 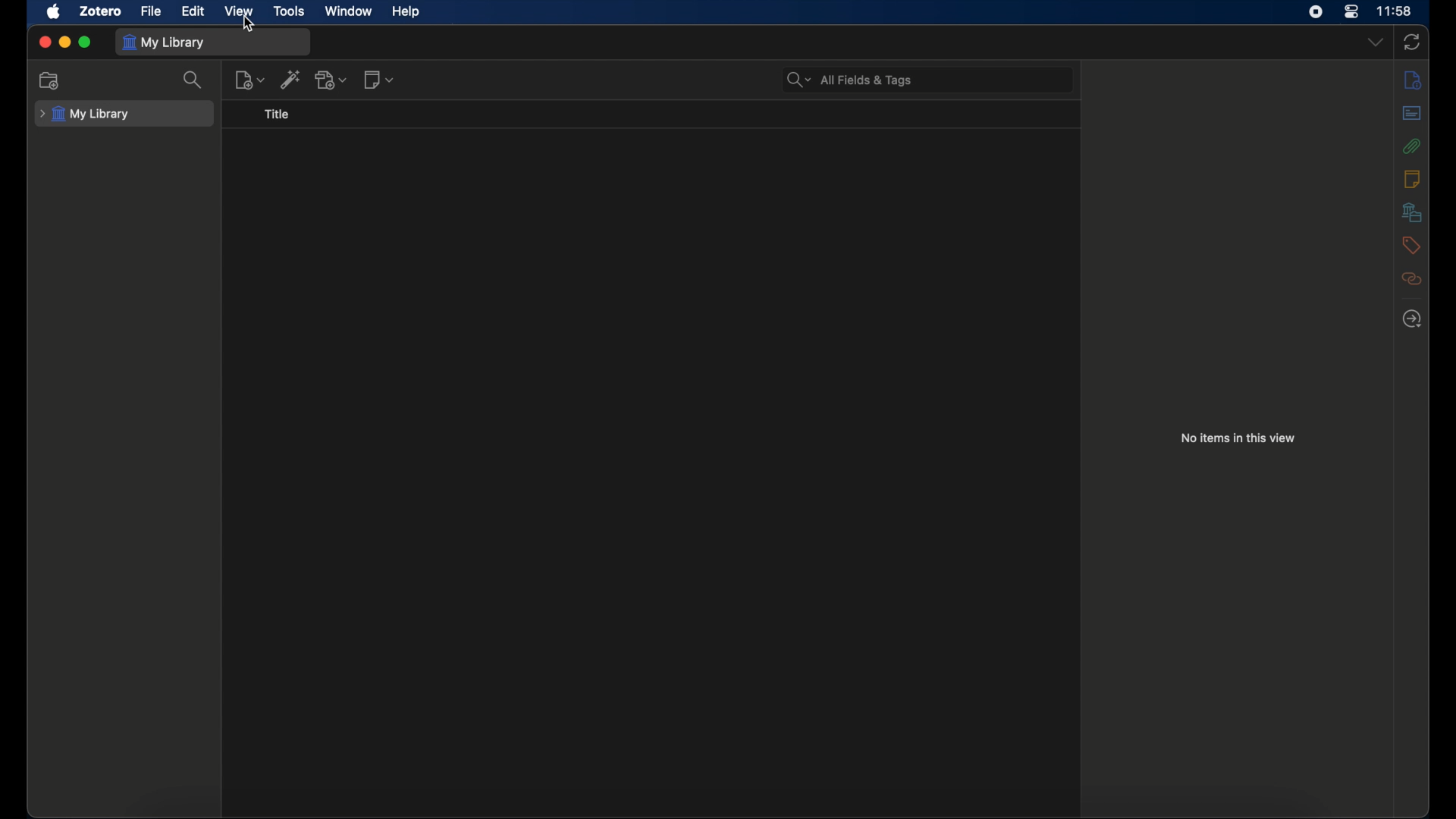 I want to click on edit, so click(x=195, y=11).